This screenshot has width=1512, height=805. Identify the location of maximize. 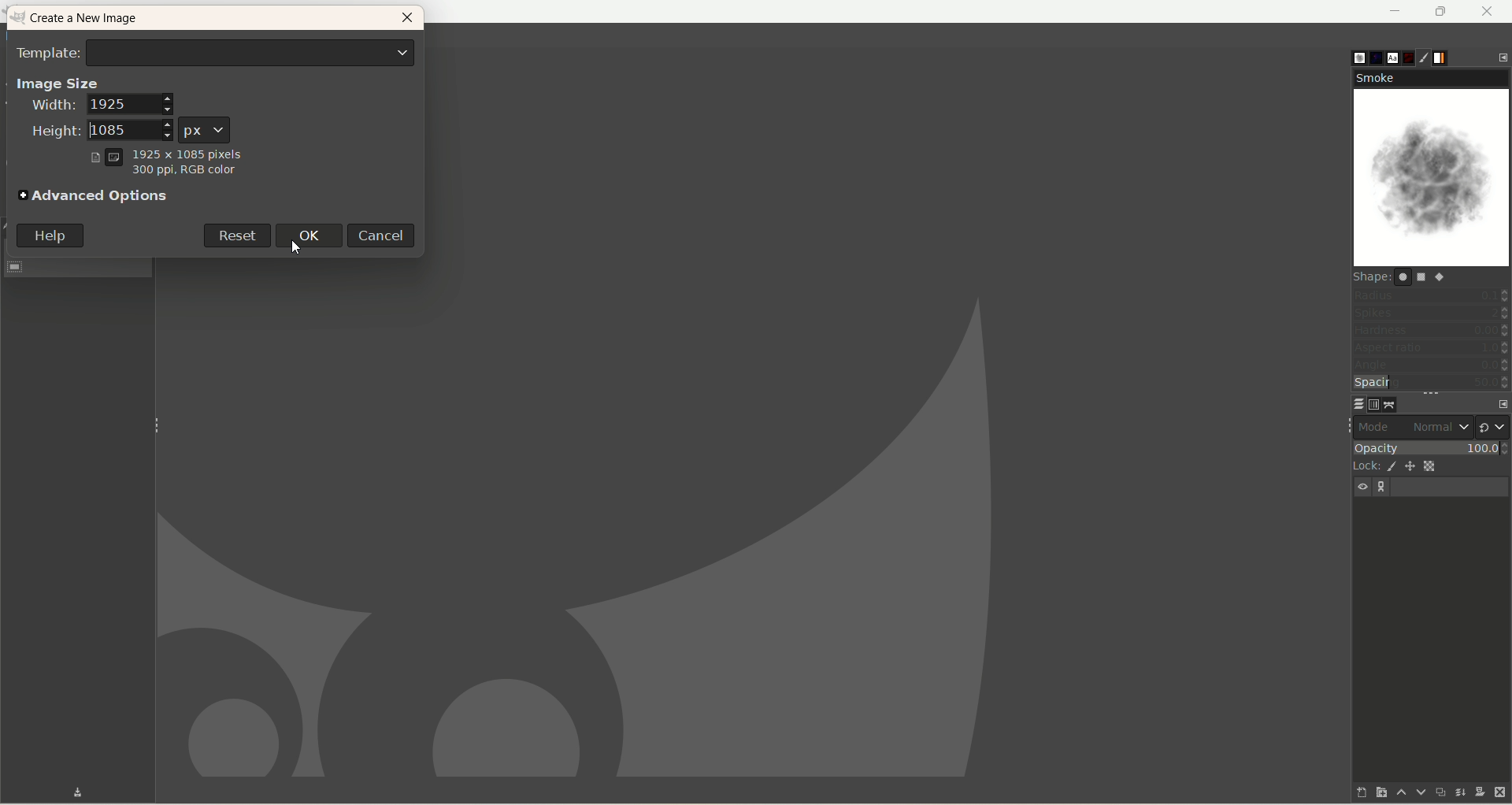
(1442, 12).